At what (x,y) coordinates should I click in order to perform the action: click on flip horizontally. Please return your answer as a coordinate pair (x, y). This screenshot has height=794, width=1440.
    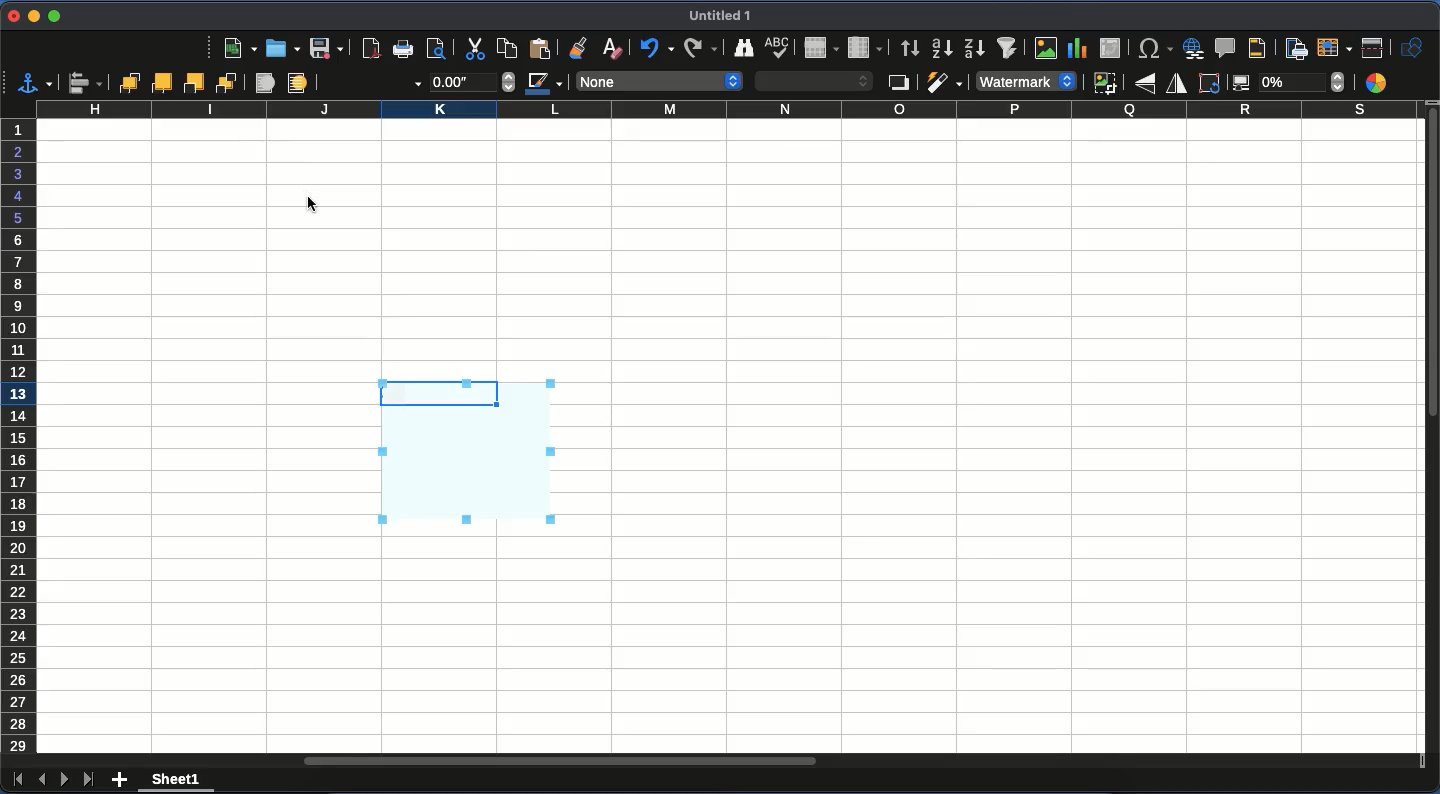
    Looking at the image, I should click on (1174, 85).